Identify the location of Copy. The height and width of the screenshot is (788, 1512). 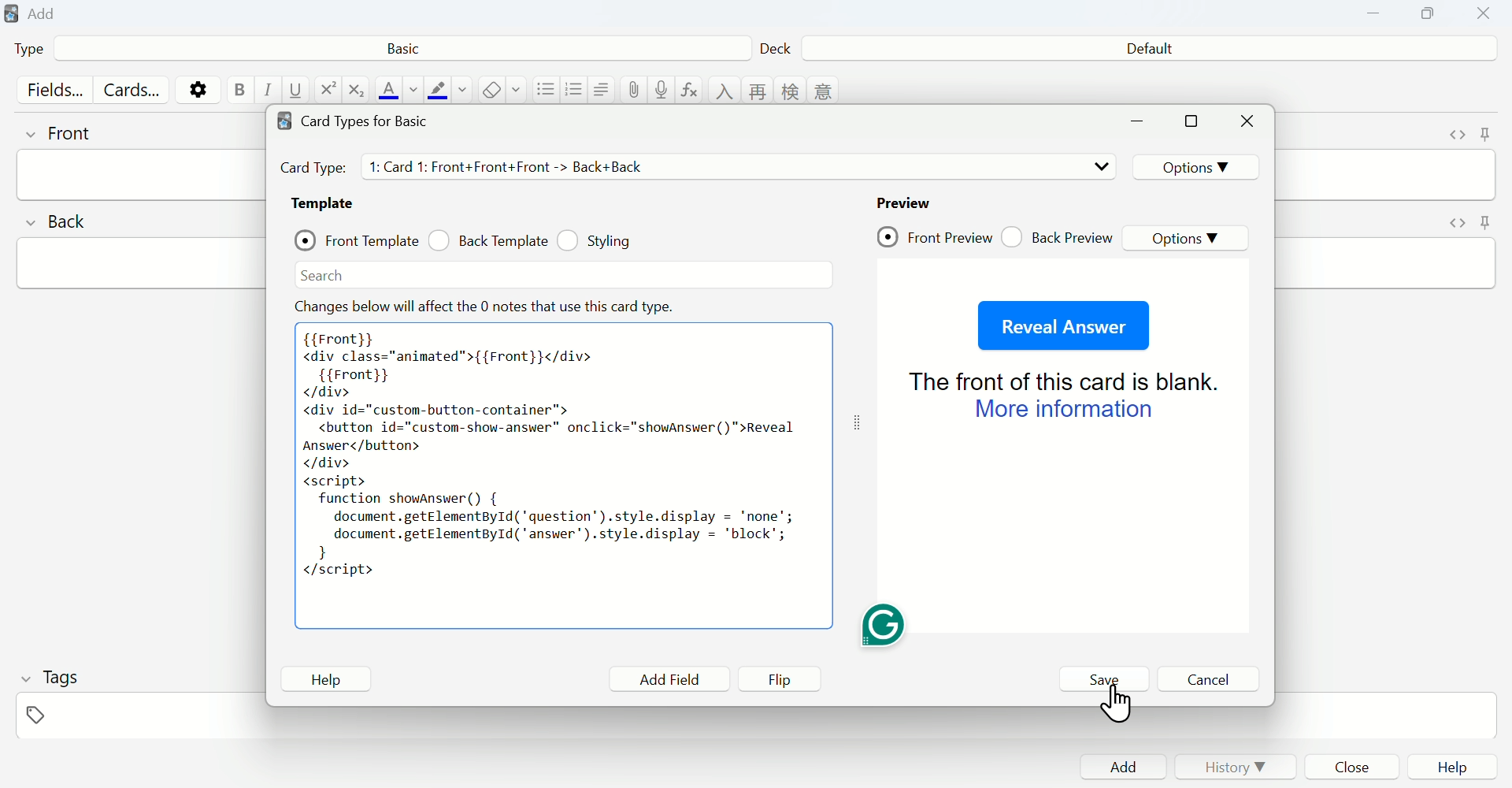
(1432, 16).